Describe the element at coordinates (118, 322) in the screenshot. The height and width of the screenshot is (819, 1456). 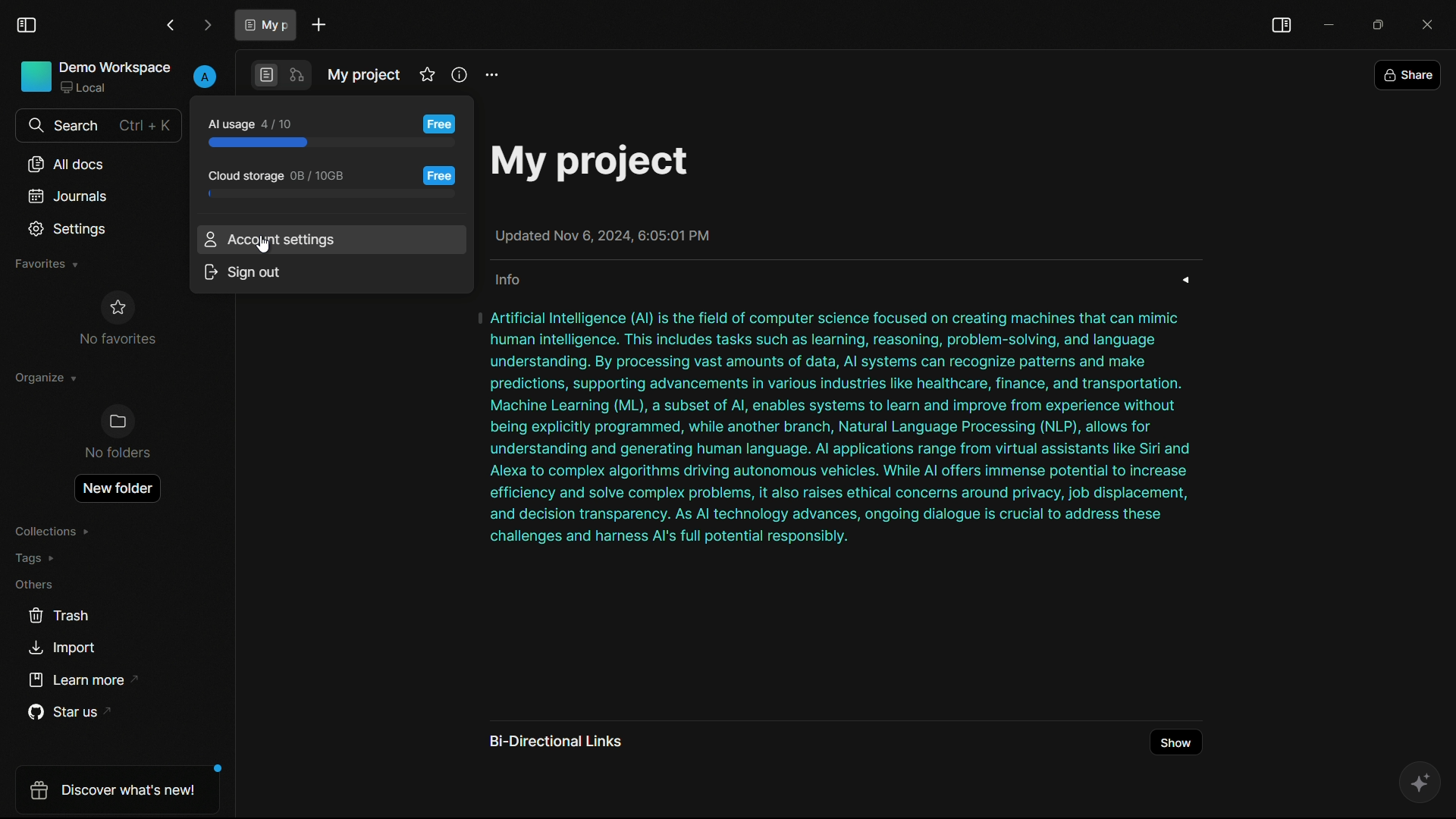
I see `no favorites` at that location.